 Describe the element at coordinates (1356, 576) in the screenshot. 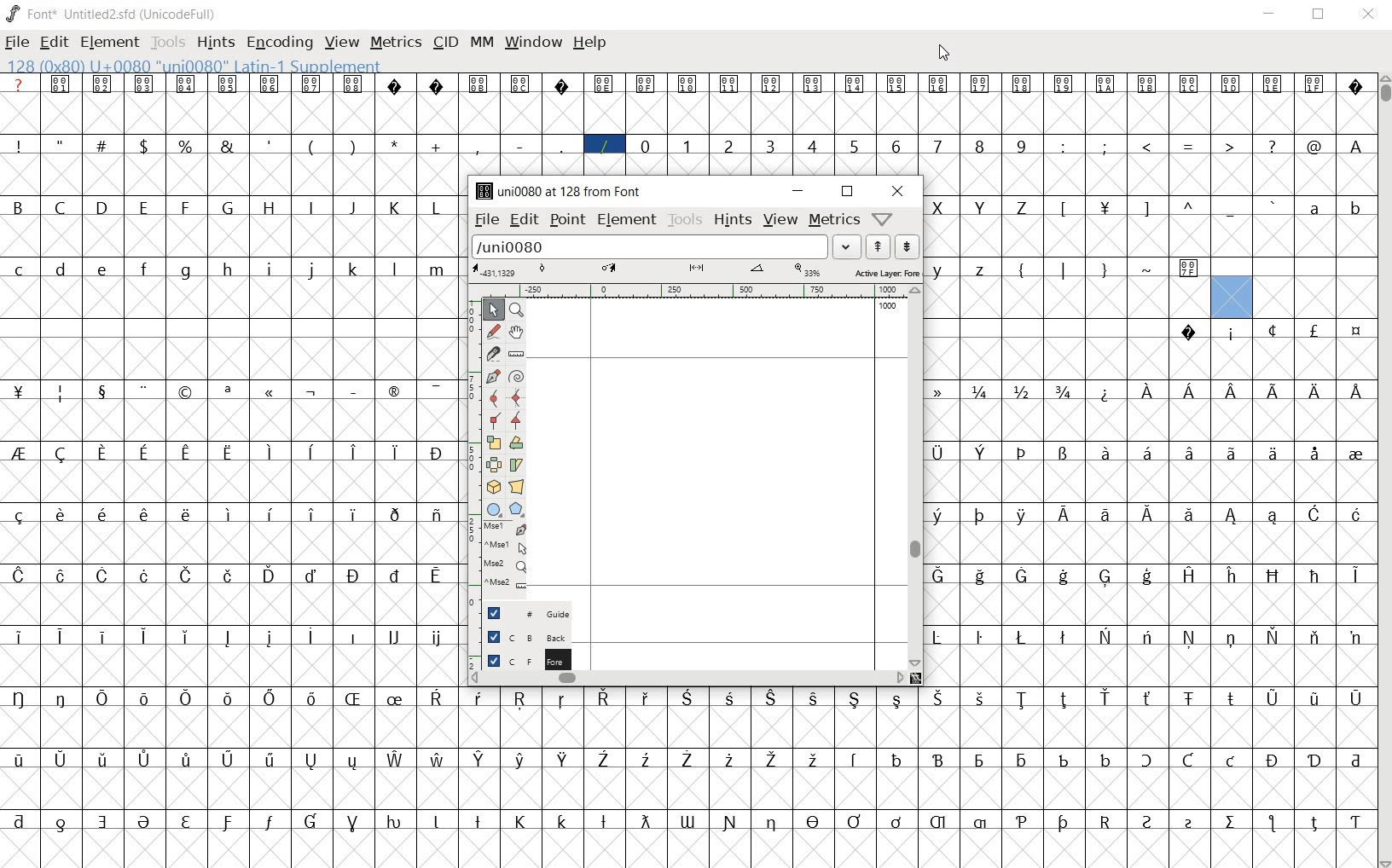

I see `glyph` at that location.